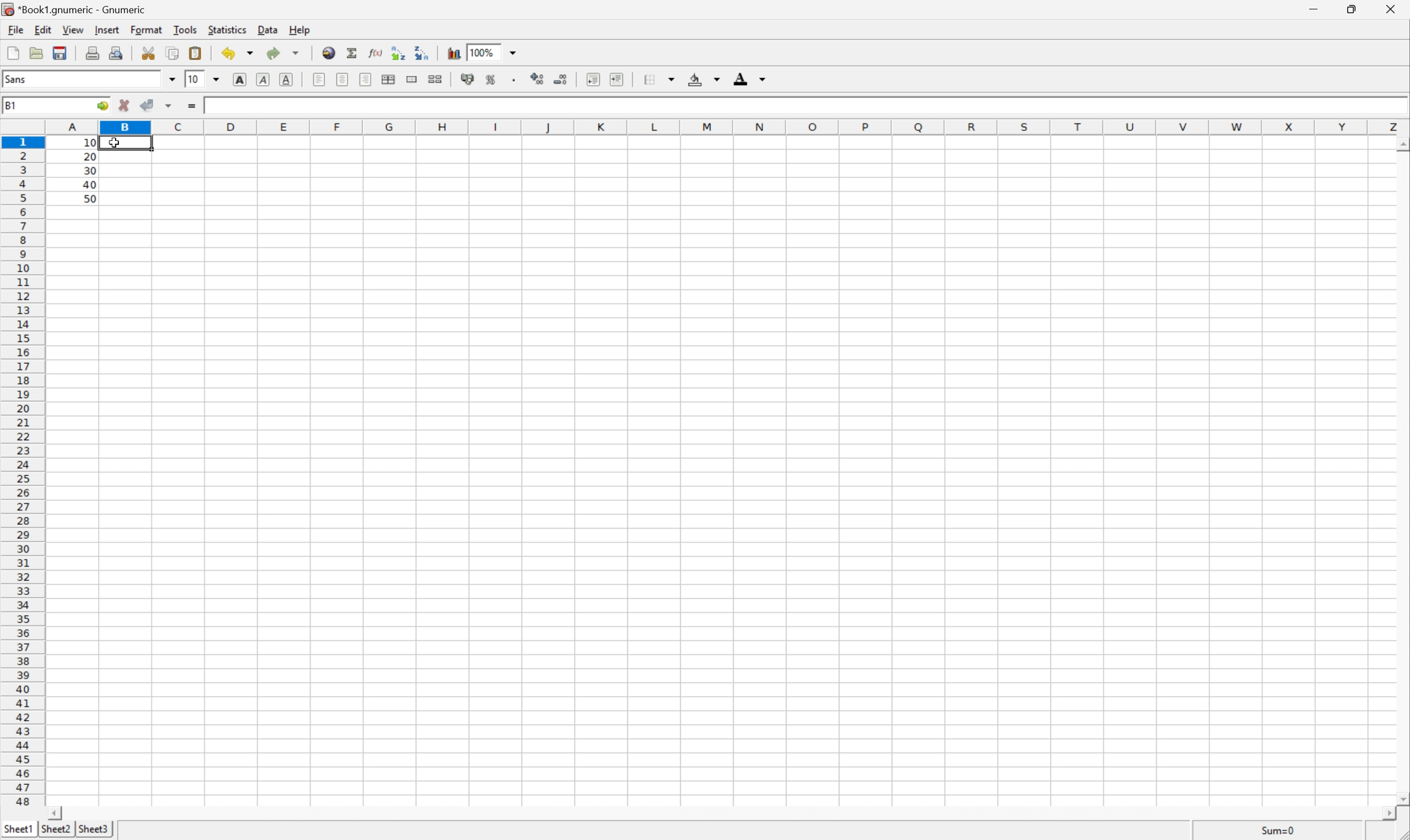 This screenshot has height=840, width=1410. I want to click on Align Left, so click(318, 79).